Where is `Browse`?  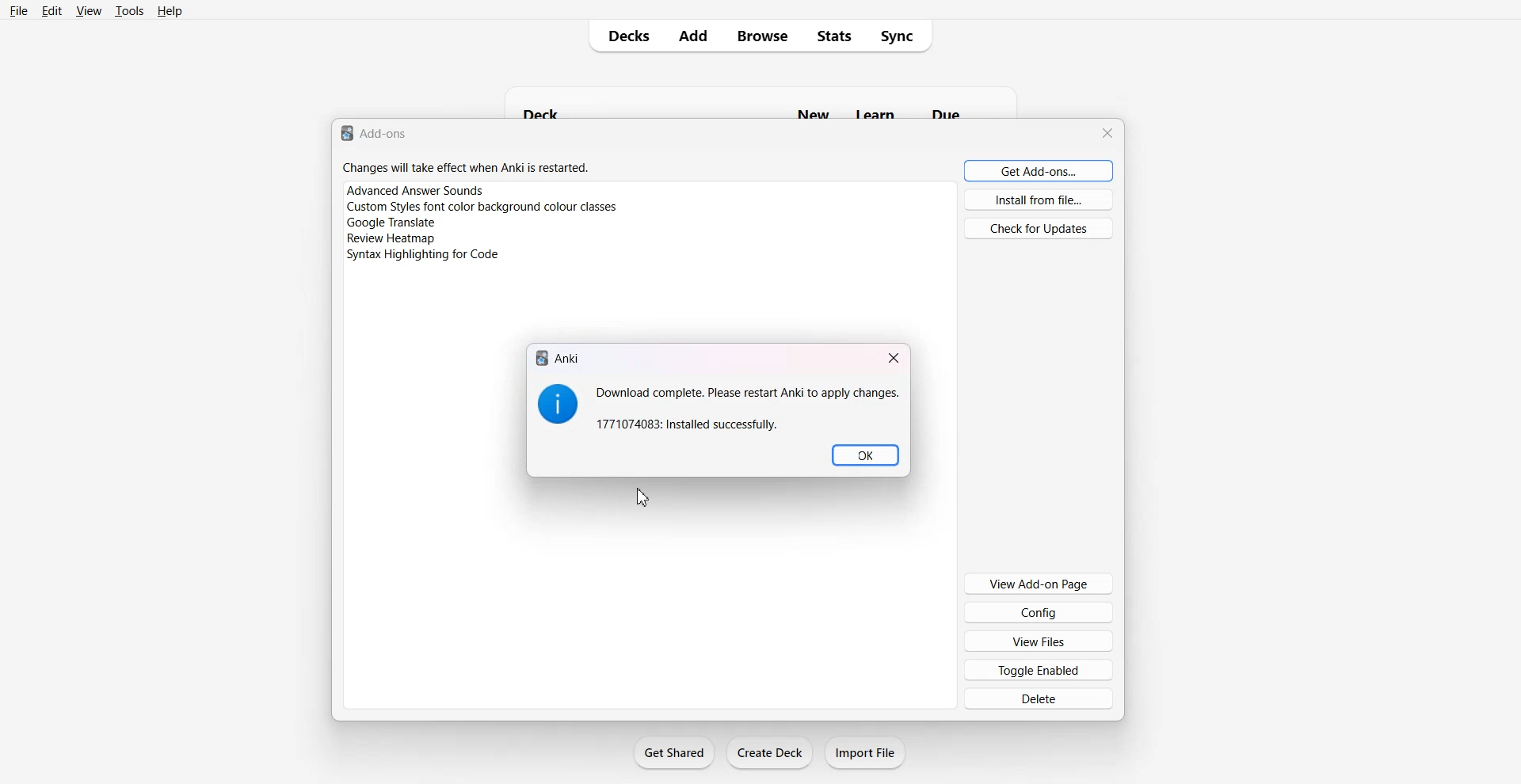 Browse is located at coordinates (763, 36).